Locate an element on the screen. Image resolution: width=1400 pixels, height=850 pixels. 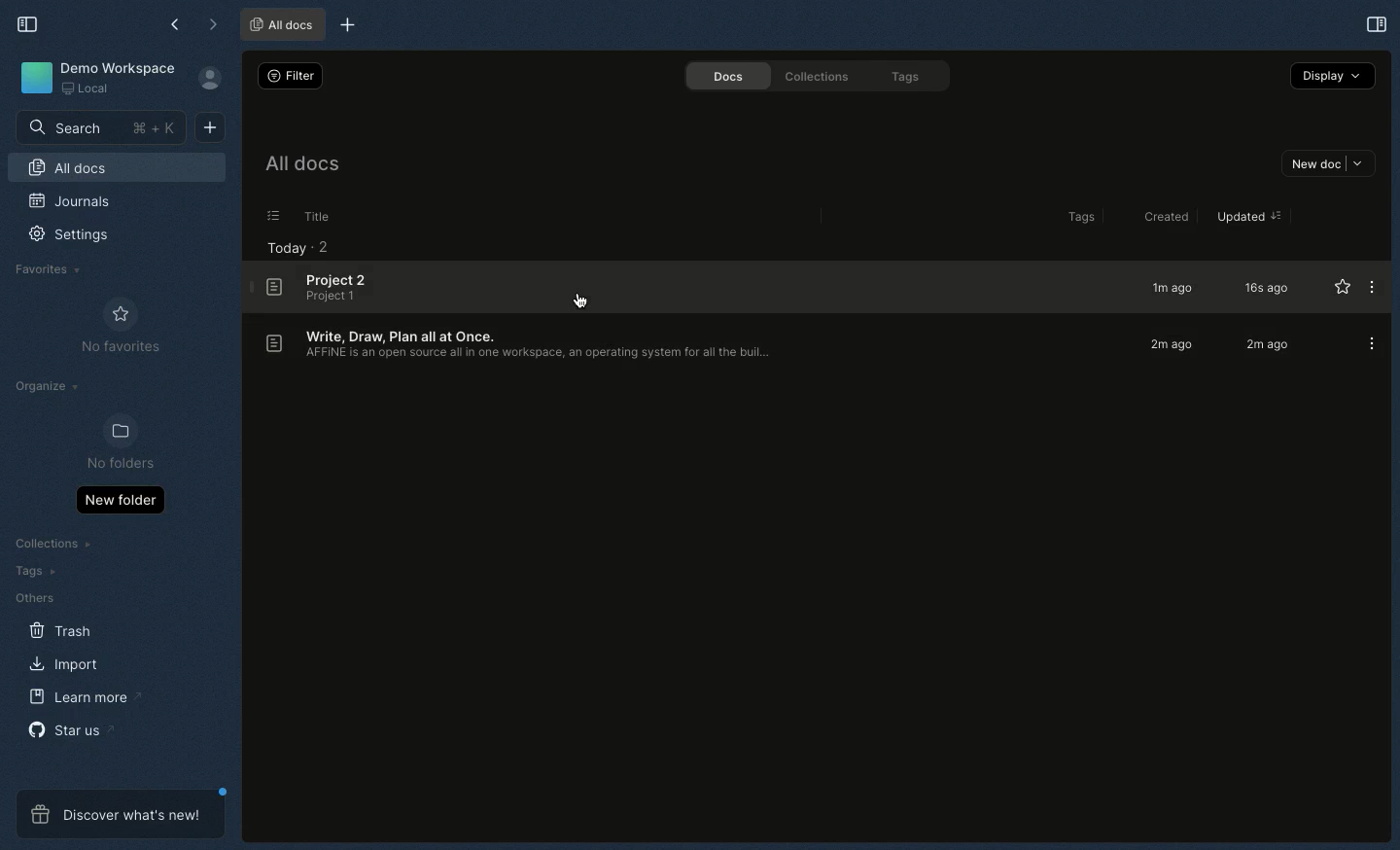
New doc is located at coordinates (1329, 162).